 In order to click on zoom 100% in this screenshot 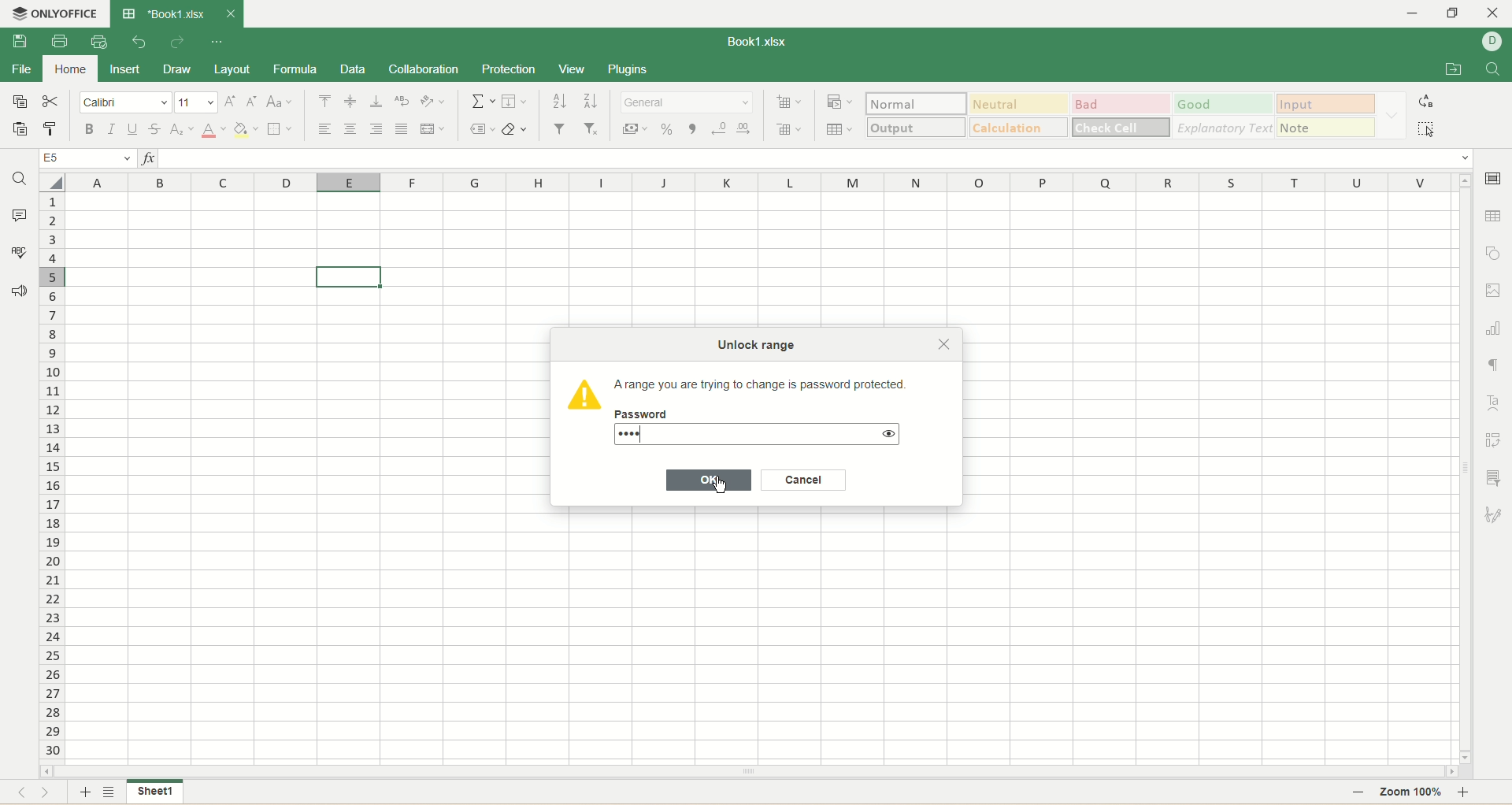, I will do `click(1414, 794)`.